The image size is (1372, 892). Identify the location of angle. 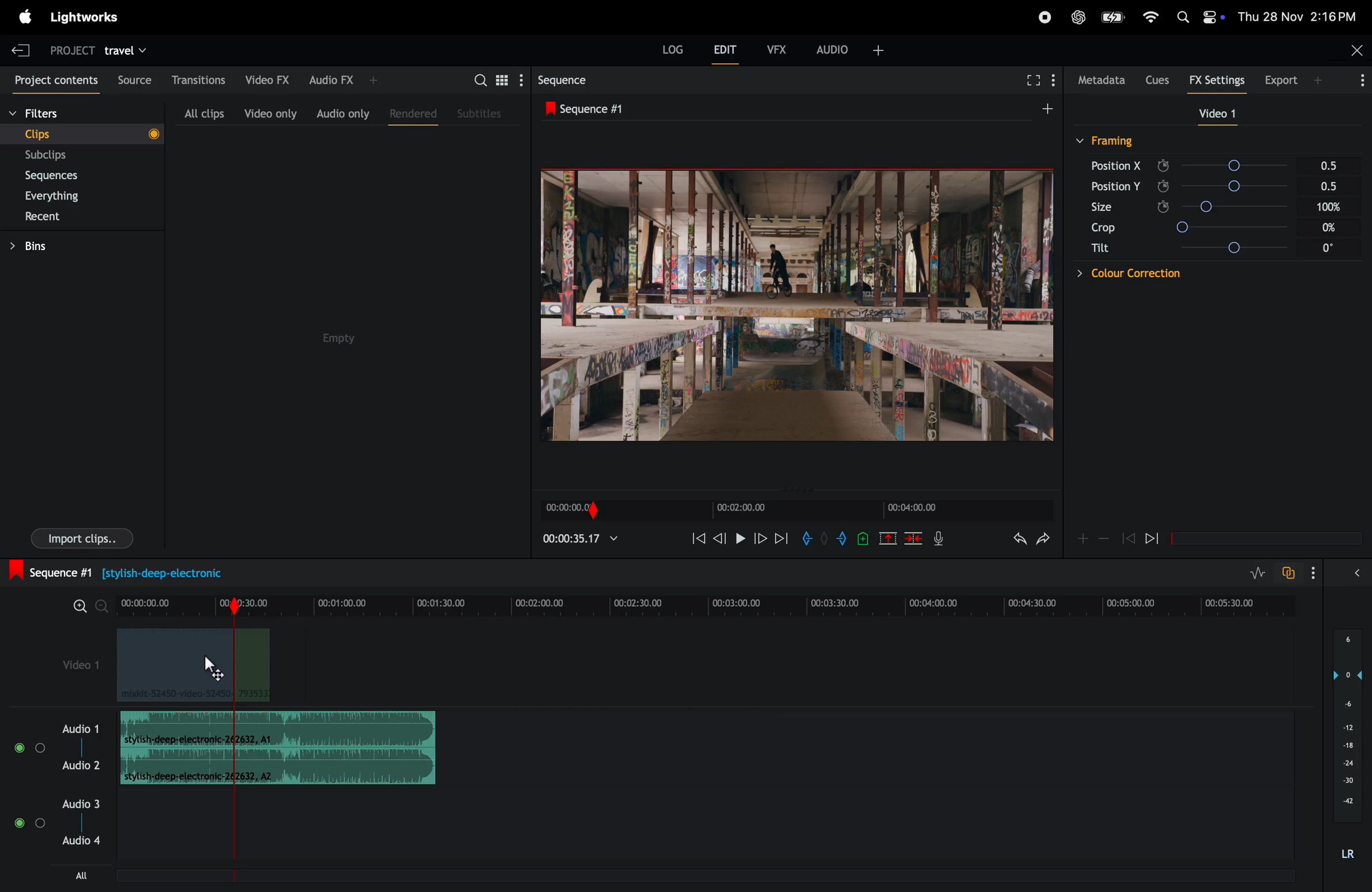
(1254, 207).